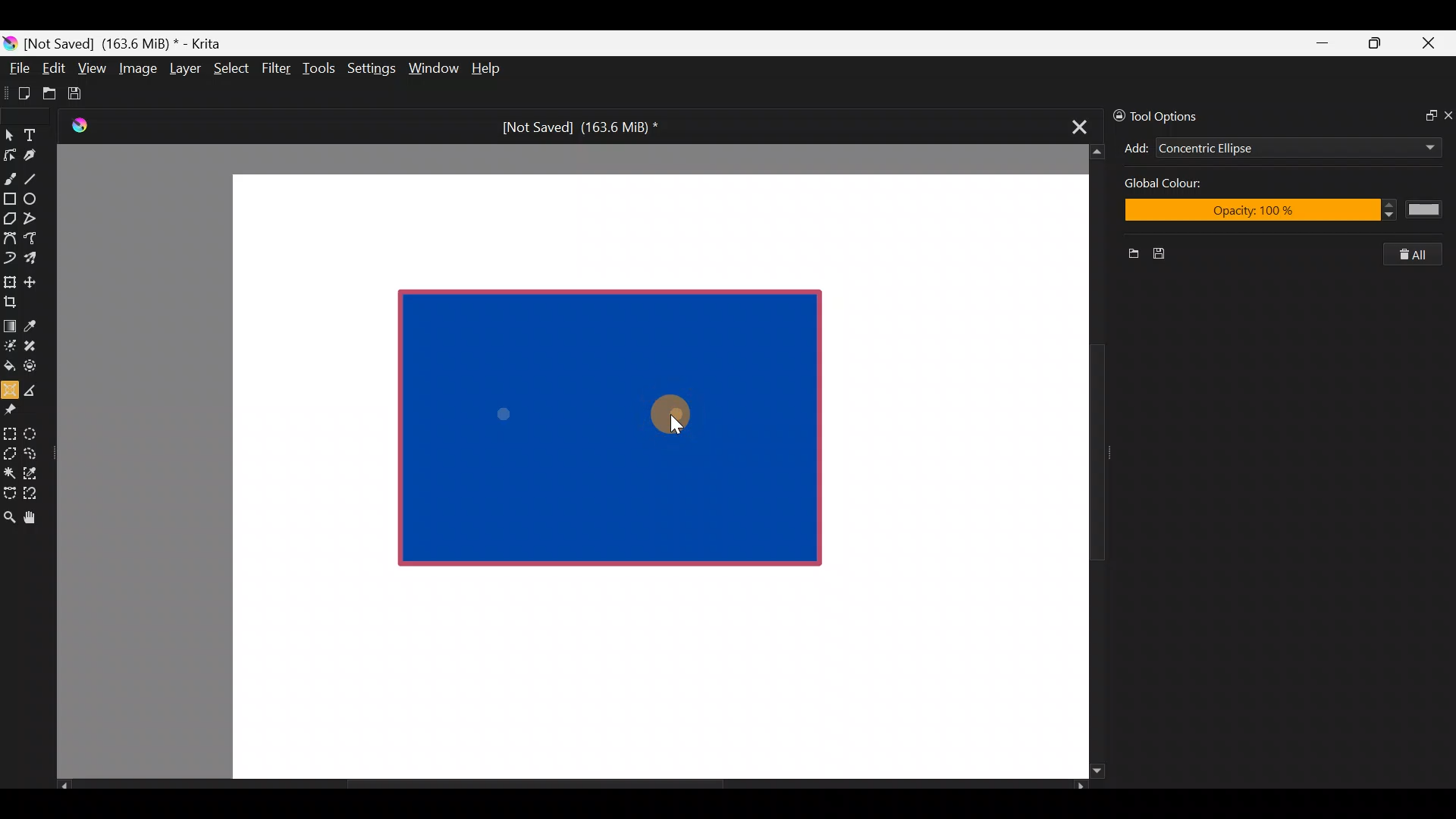  What do you see at coordinates (35, 345) in the screenshot?
I see `Smart patch tool` at bounding box center [35, 345].